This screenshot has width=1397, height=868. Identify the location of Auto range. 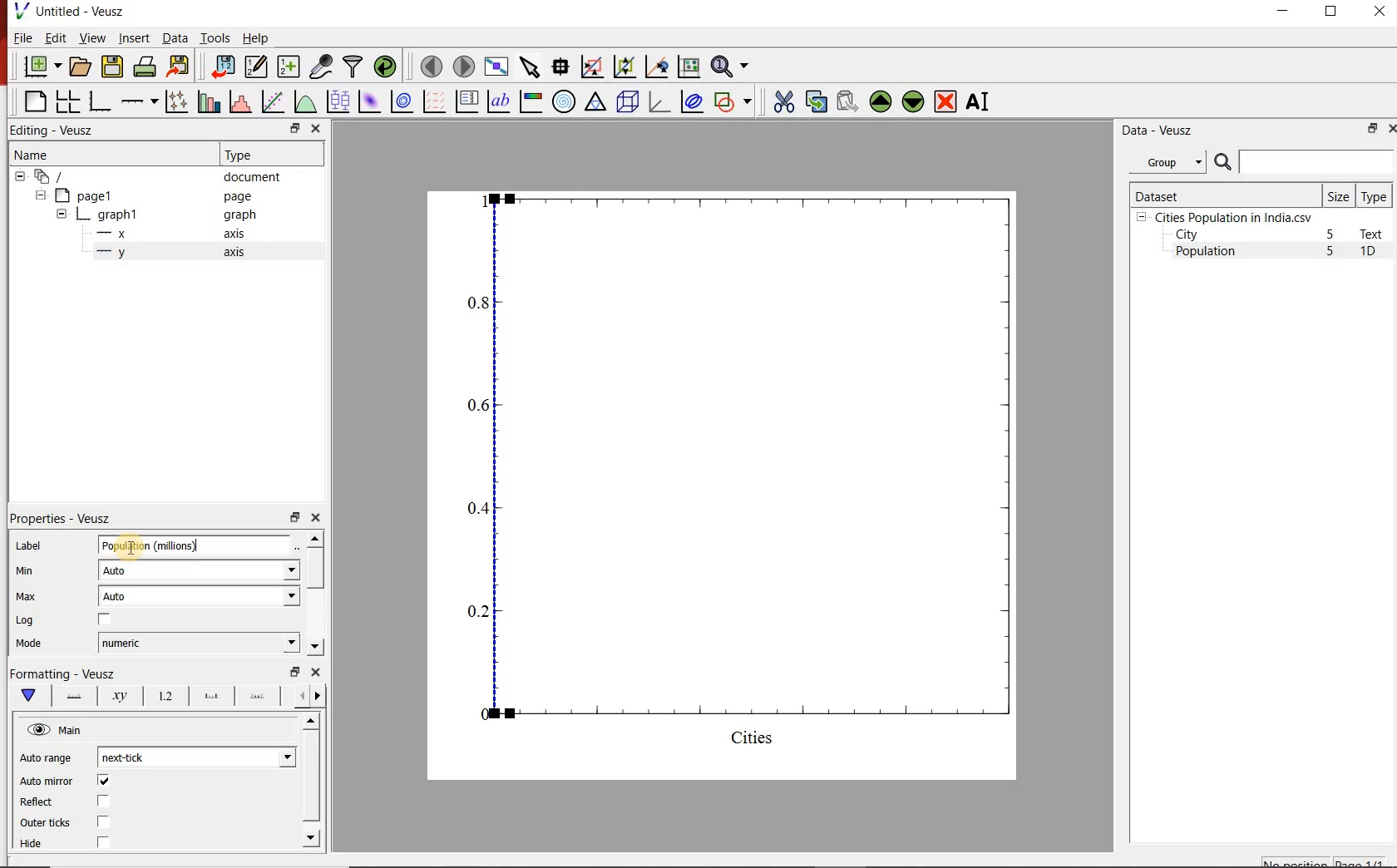
(47, 758).